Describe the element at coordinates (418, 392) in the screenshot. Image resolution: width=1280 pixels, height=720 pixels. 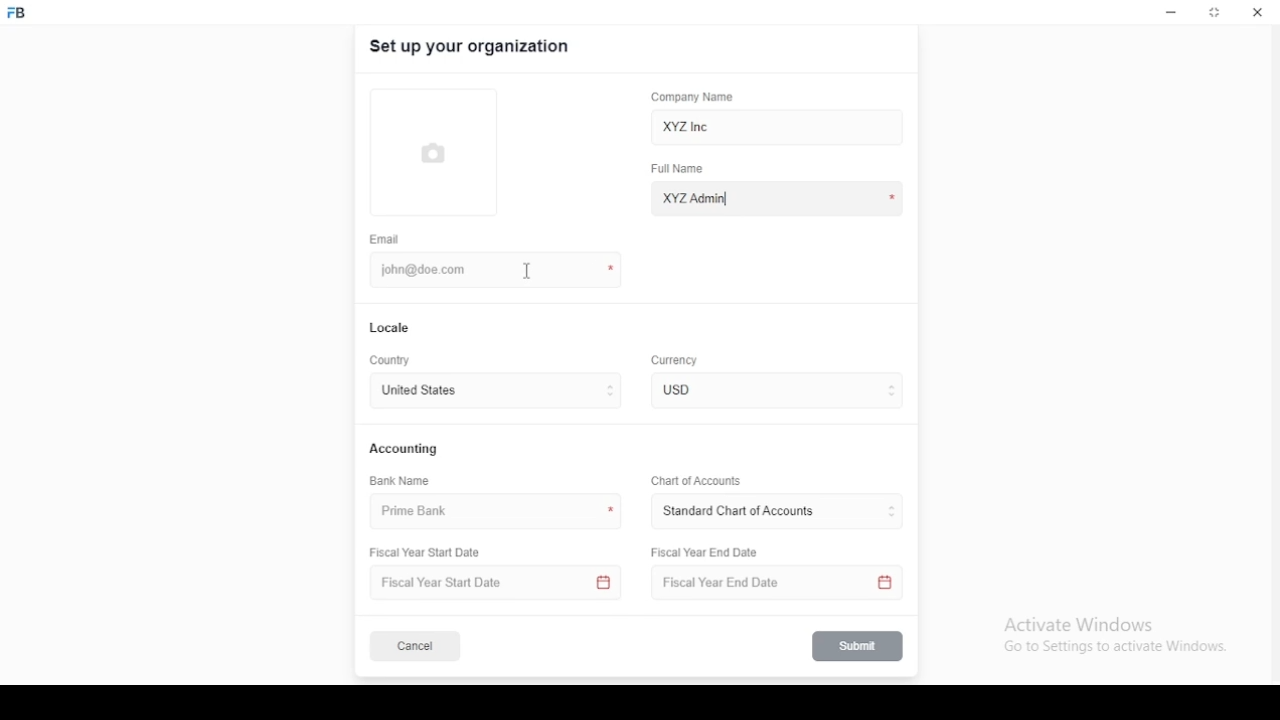
I see `united states` at that location.